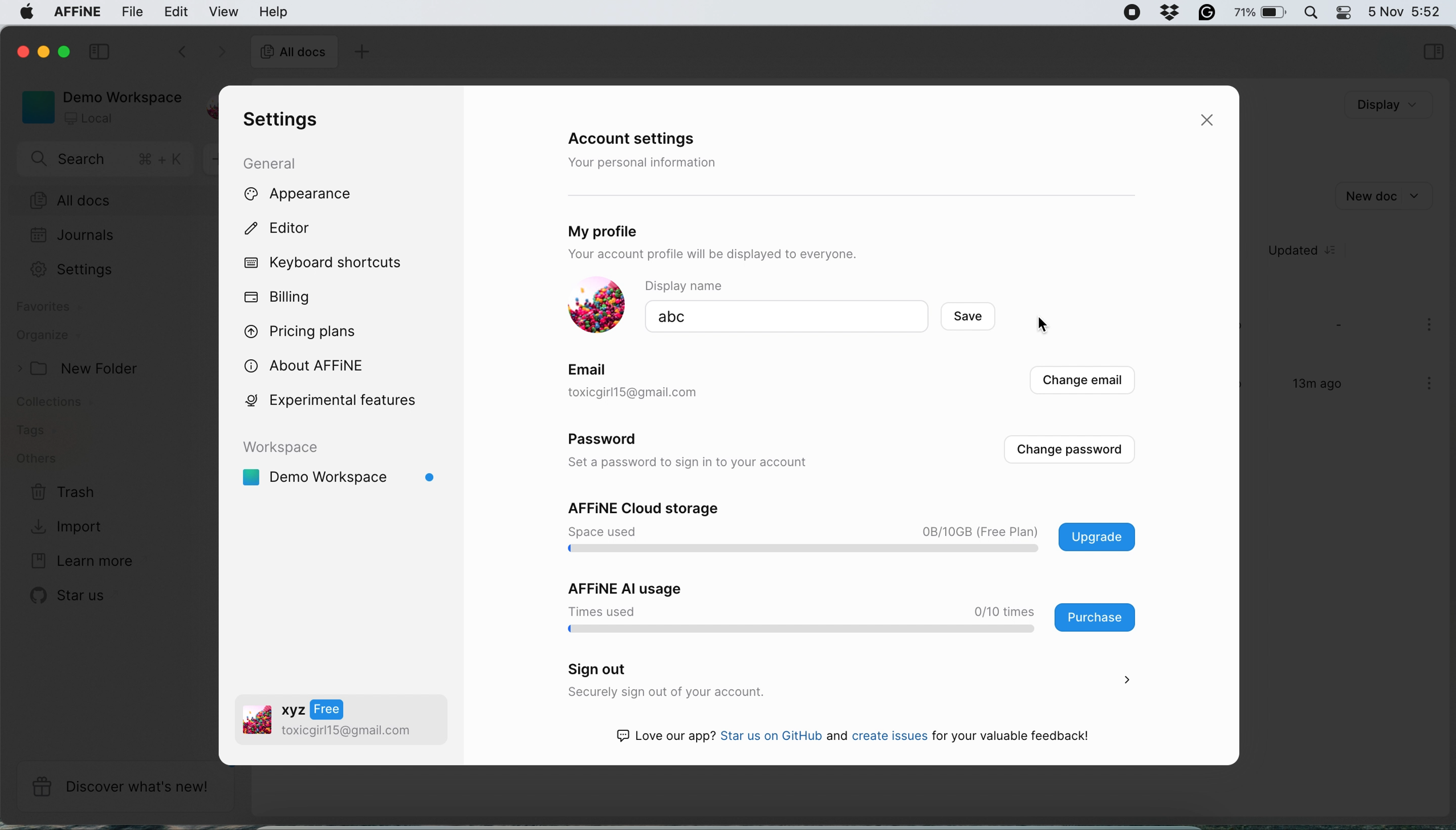  What do you see at coordinates (1309, 12) in the screenshot?
I see `spotlight search` at bounding box center [1309, 12].